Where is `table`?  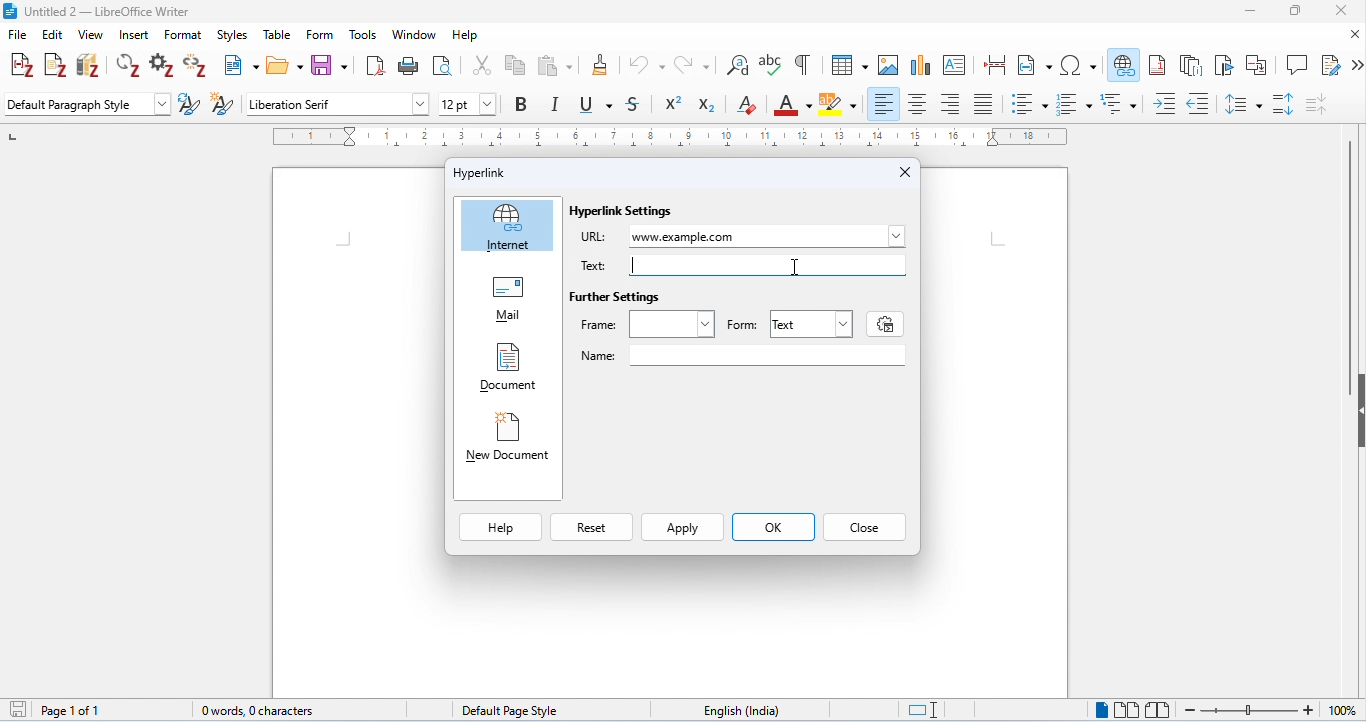 table is located at coordinates (275, 33).